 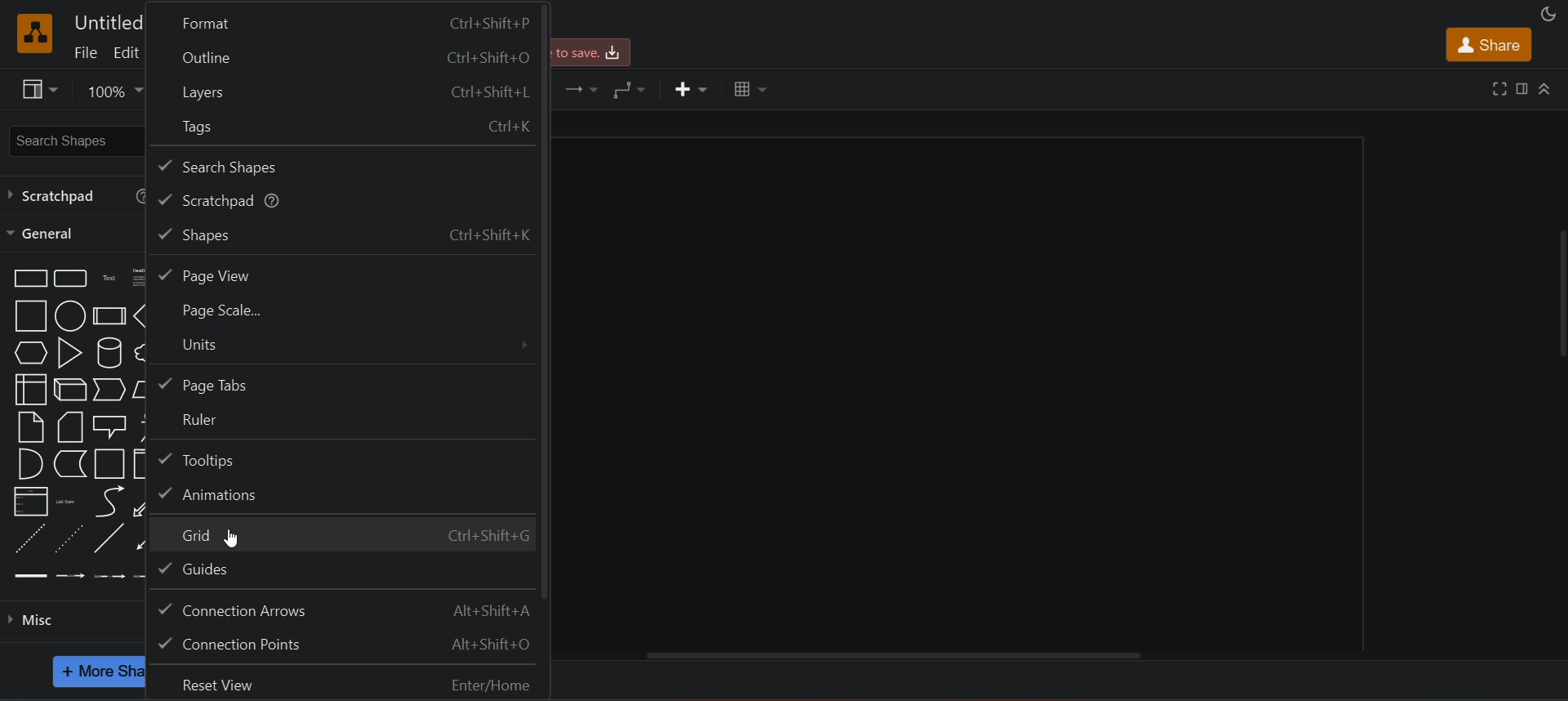 I want to click on data storage, so click(x=69, y=463).